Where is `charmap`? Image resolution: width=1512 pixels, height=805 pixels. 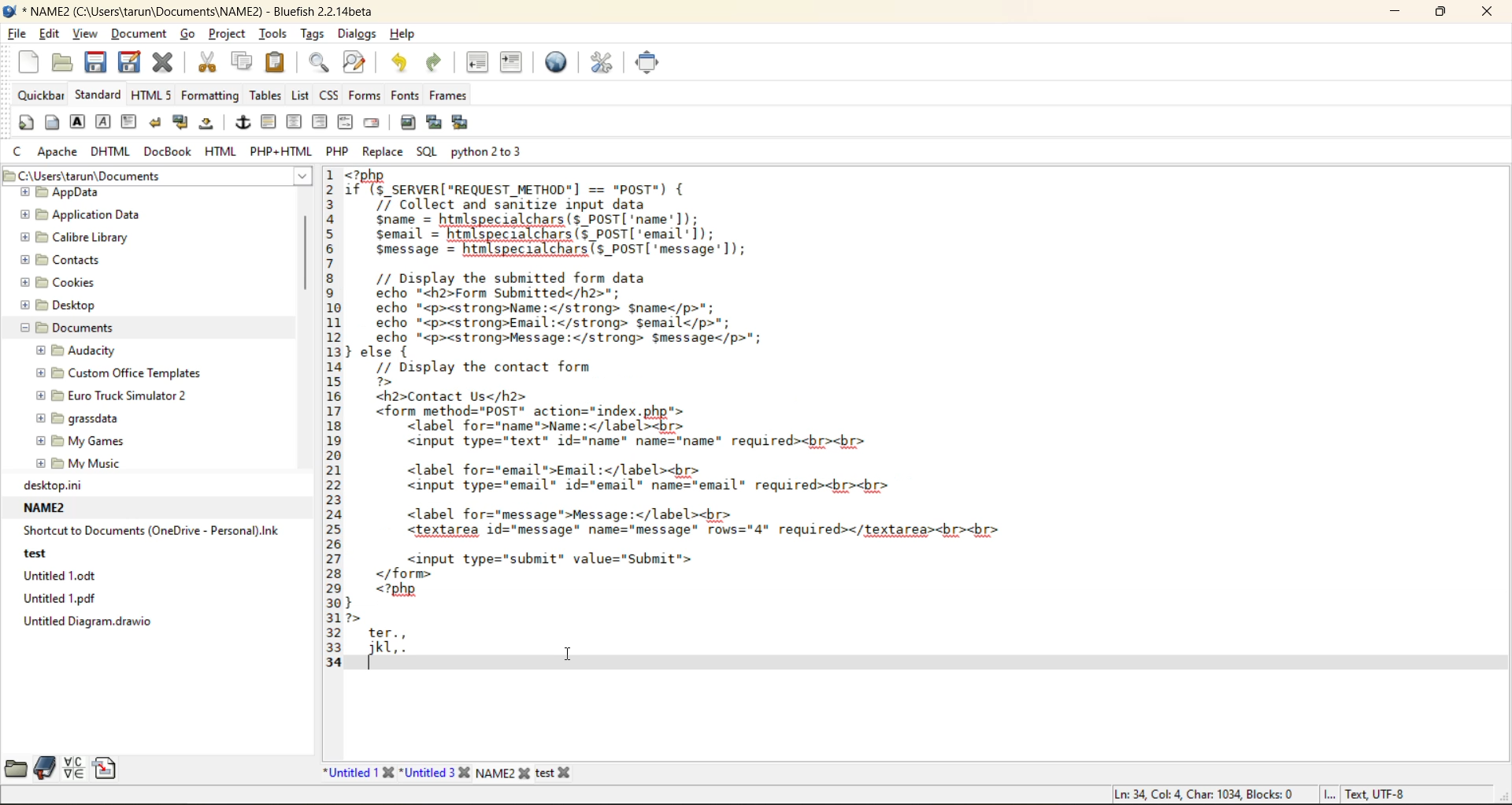
charmap is located at coordinates (74, 768).